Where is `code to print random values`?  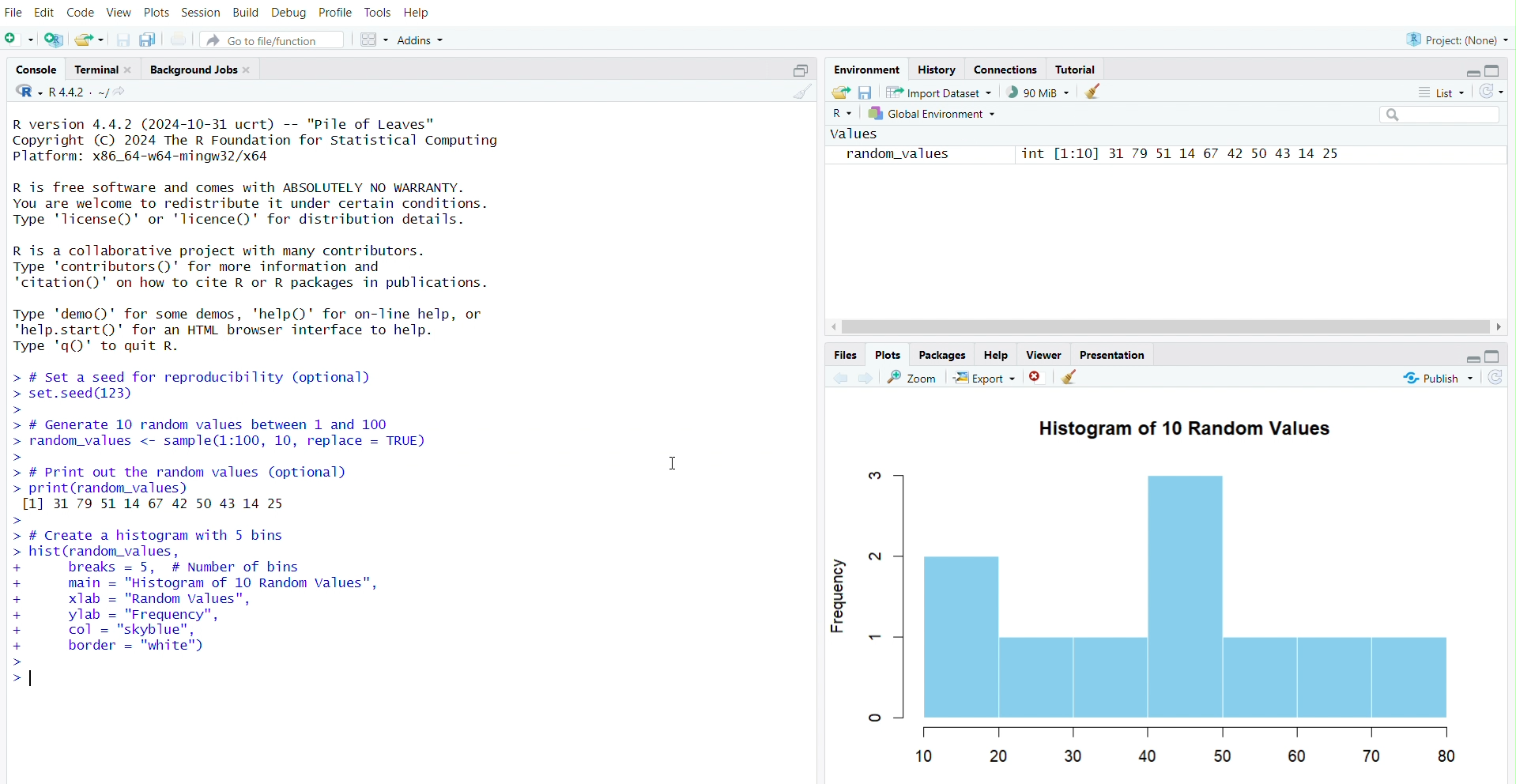 code to print random values is located at coordinates (221, 493).